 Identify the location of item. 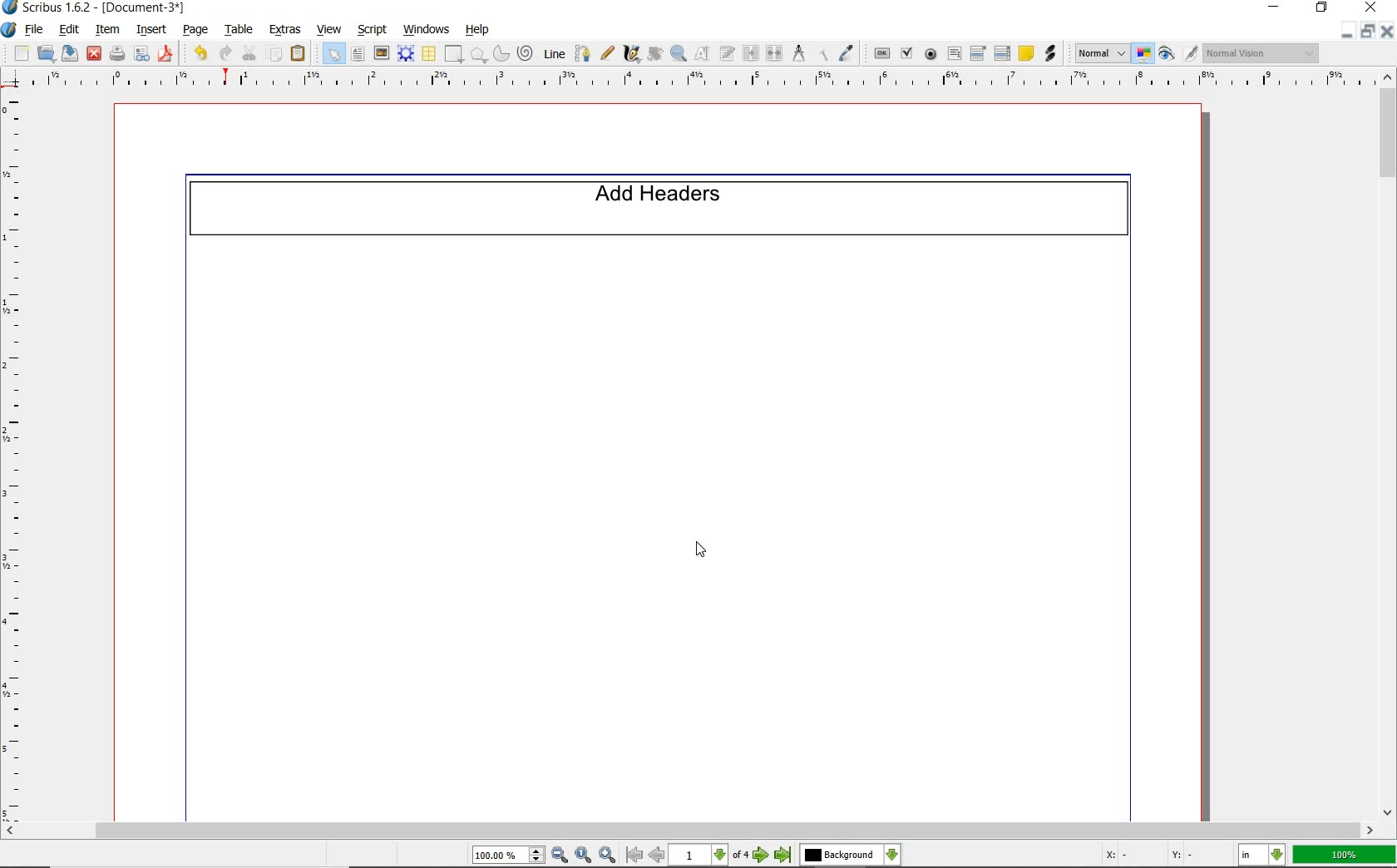
(107, 30).